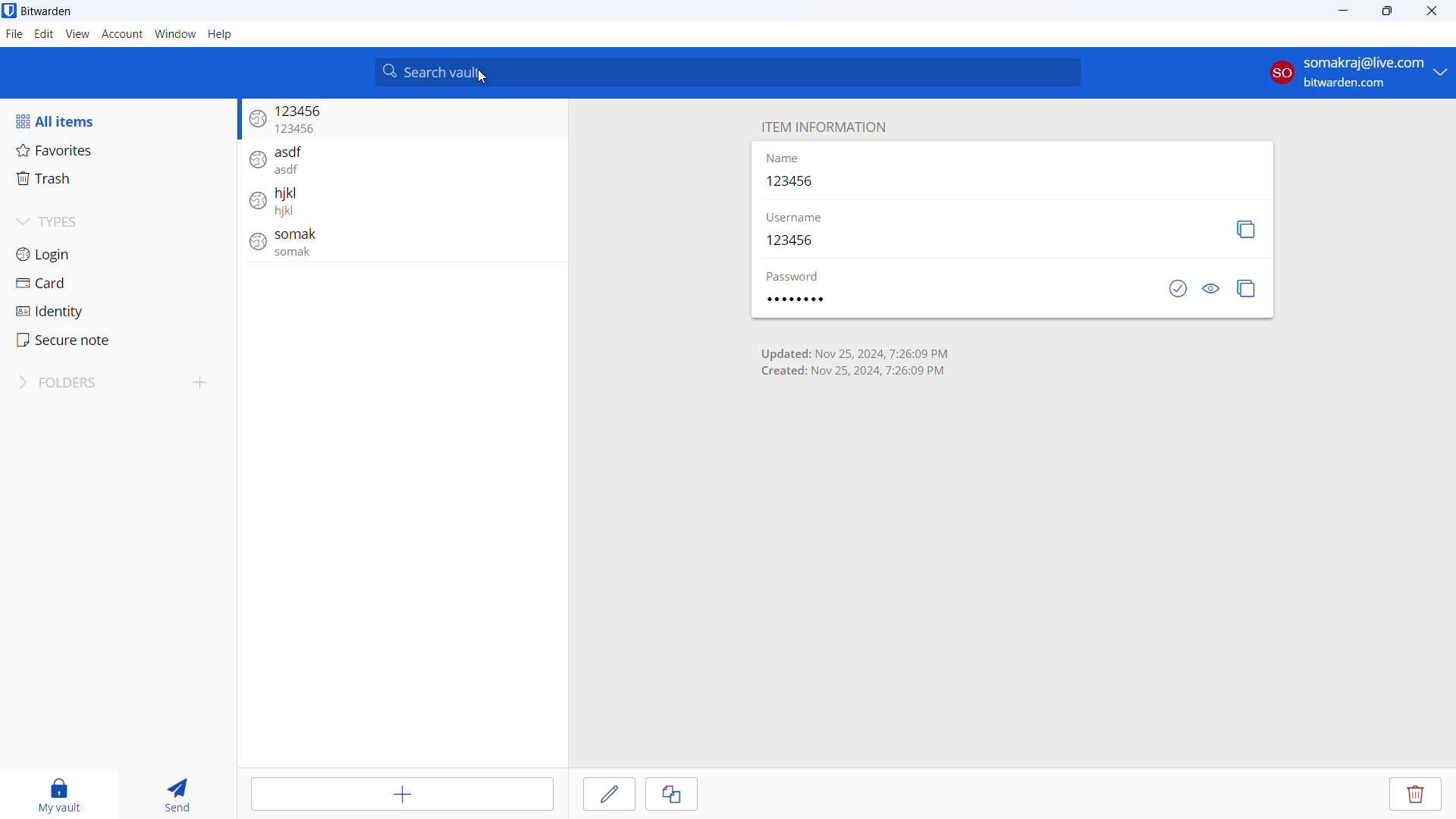 The height and width of the screenshot is (819, 1456). Describe the element at coordinates (1432, 11) in the screenshot. I see `close` at that location.